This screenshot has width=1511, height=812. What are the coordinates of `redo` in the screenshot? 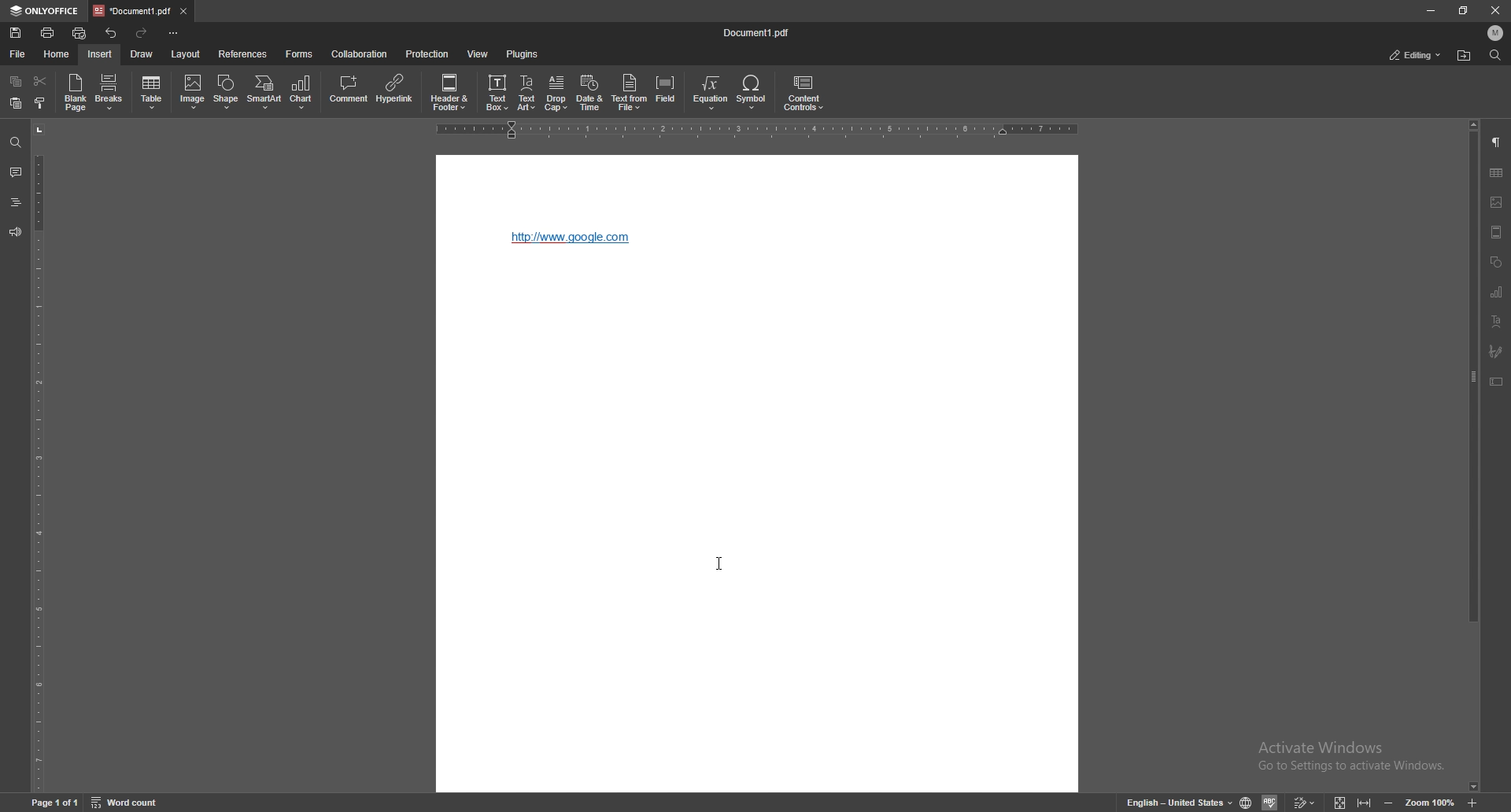 It's located at (142, 32).